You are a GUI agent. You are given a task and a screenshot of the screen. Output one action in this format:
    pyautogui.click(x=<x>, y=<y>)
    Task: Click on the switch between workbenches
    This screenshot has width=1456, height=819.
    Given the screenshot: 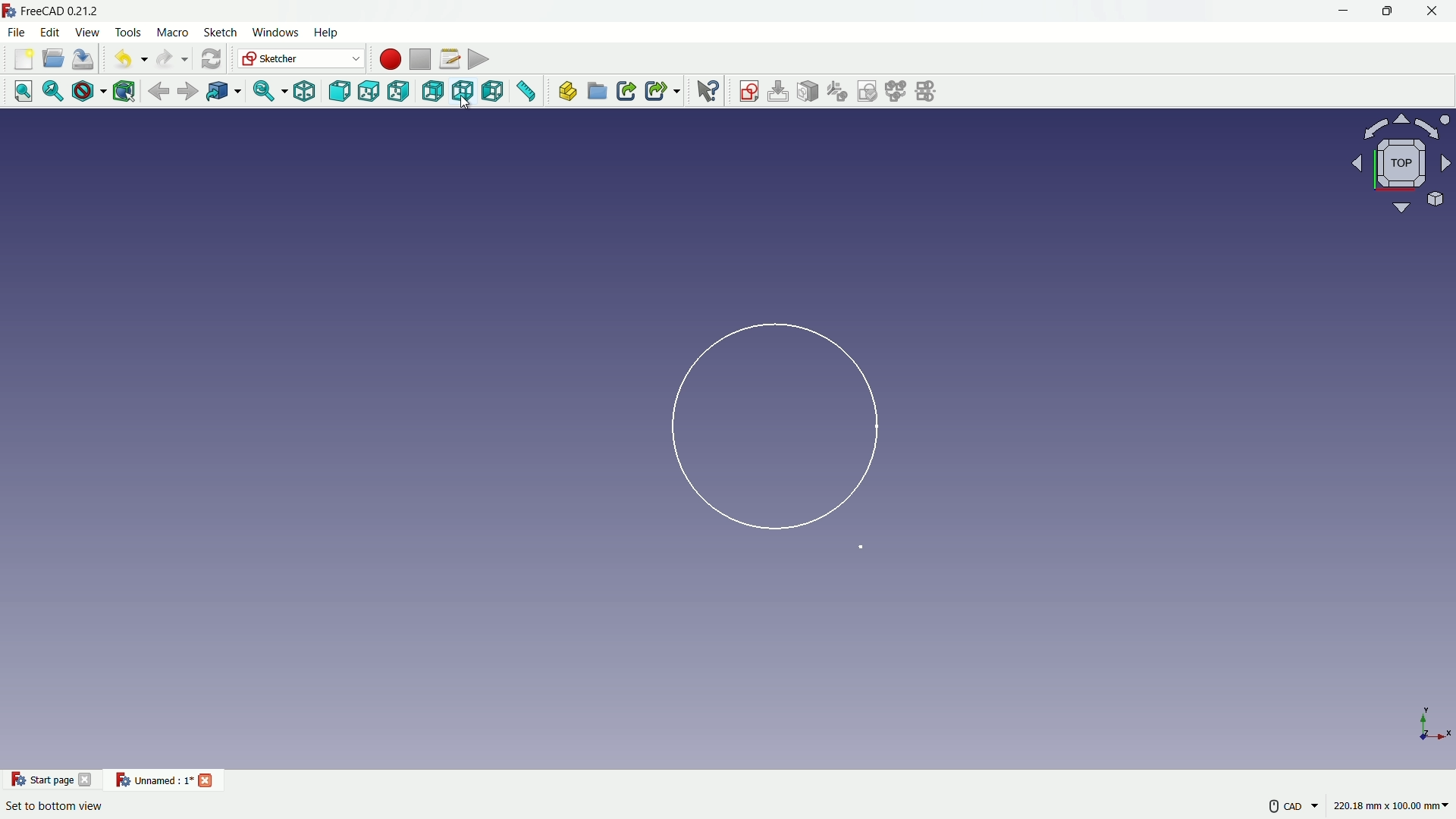 What is the action you would take?
    pyautogui.click(x=301, y=59)
    